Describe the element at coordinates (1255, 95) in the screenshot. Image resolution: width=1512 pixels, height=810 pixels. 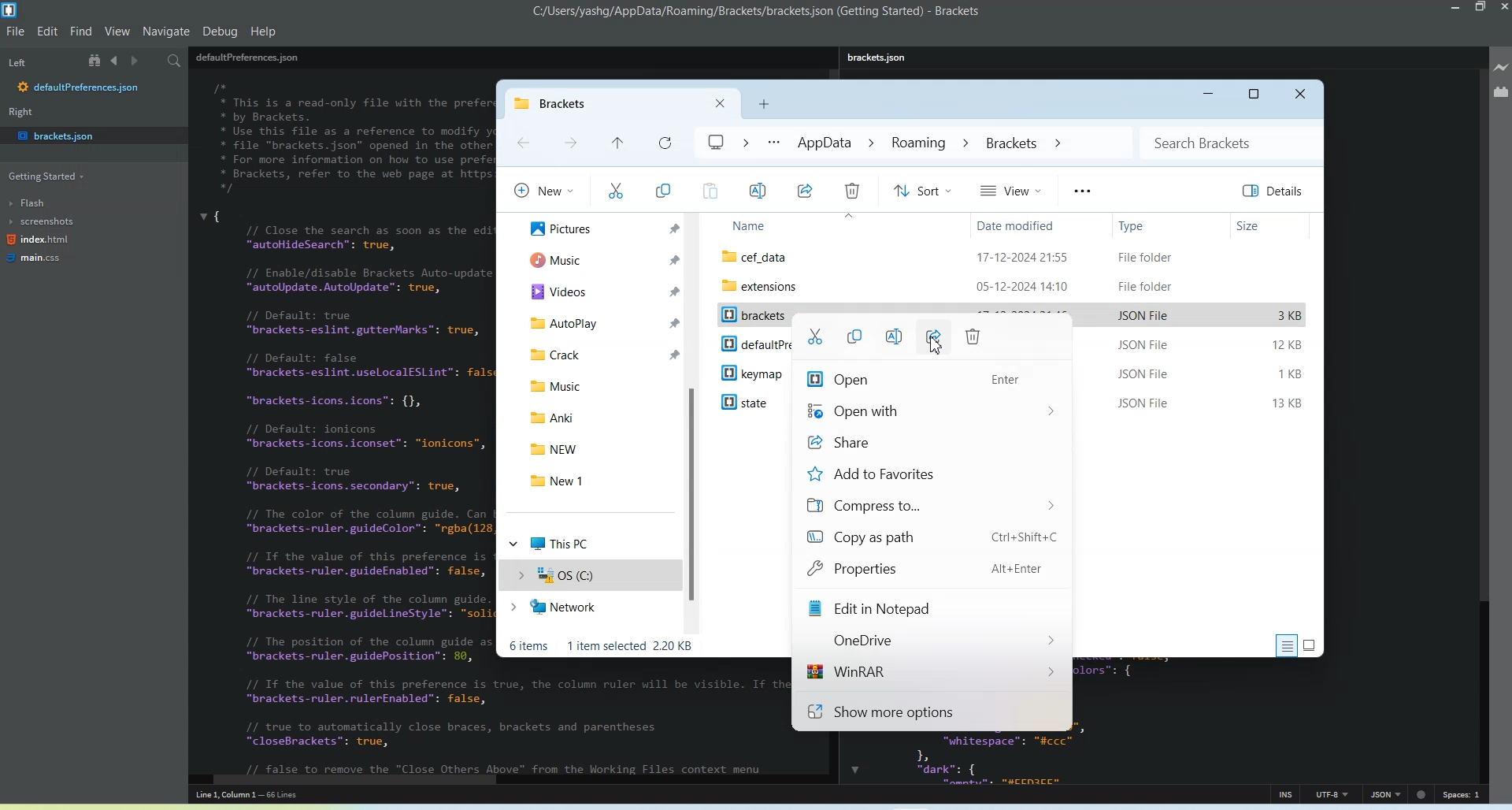
I see `Maximize` at that location.